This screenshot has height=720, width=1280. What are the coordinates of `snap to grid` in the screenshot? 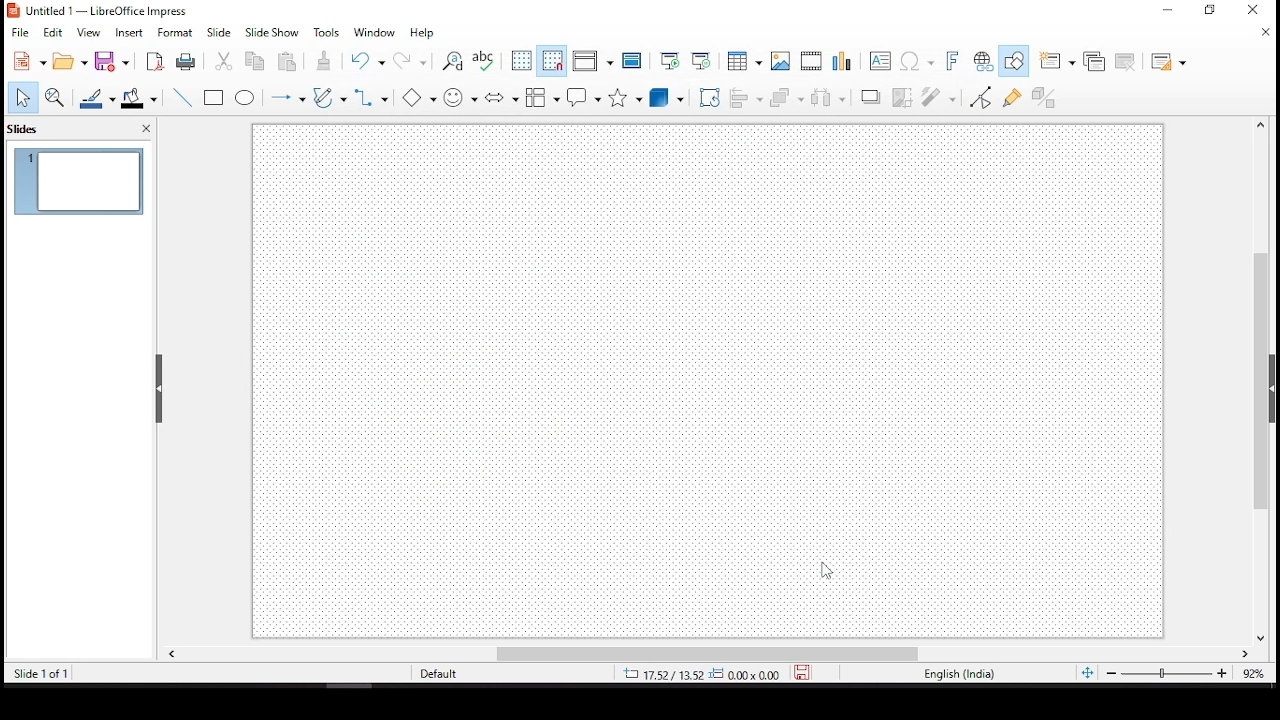 It's located at (551, 60).